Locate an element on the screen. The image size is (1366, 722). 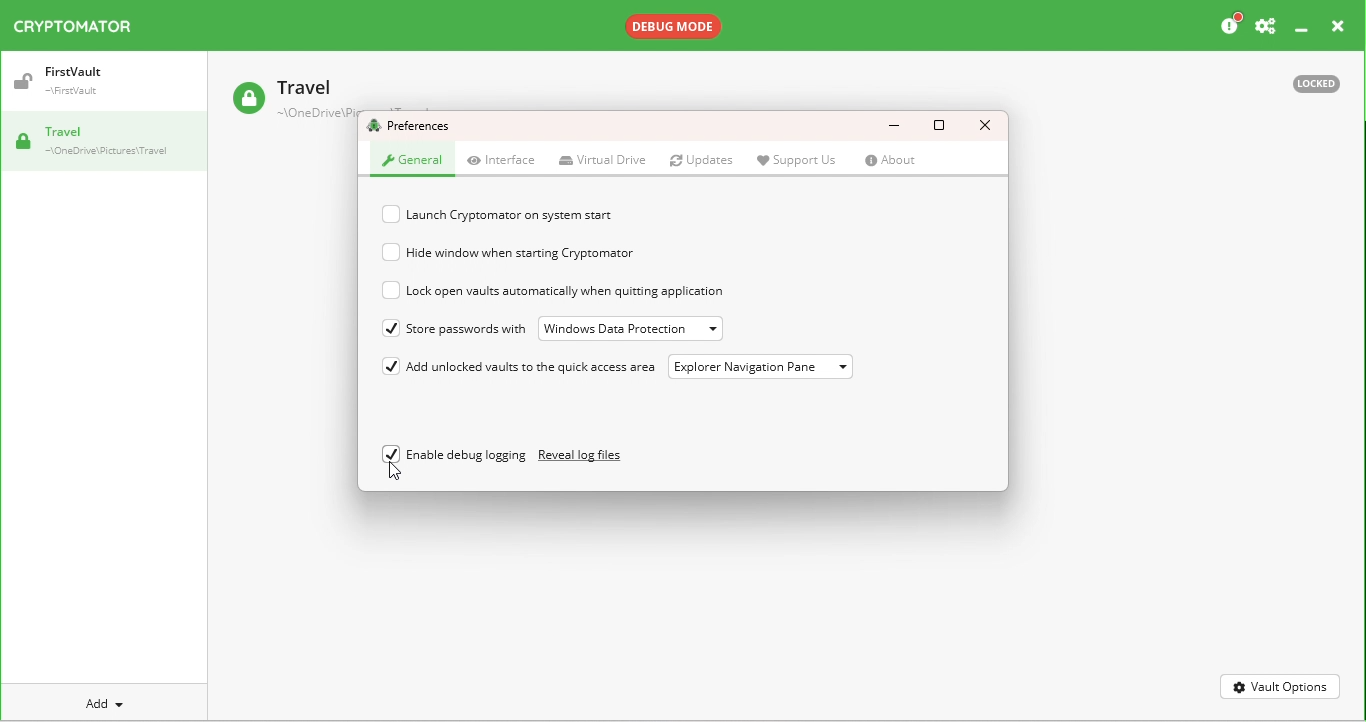
Updates is located at coordinates (702, 159).